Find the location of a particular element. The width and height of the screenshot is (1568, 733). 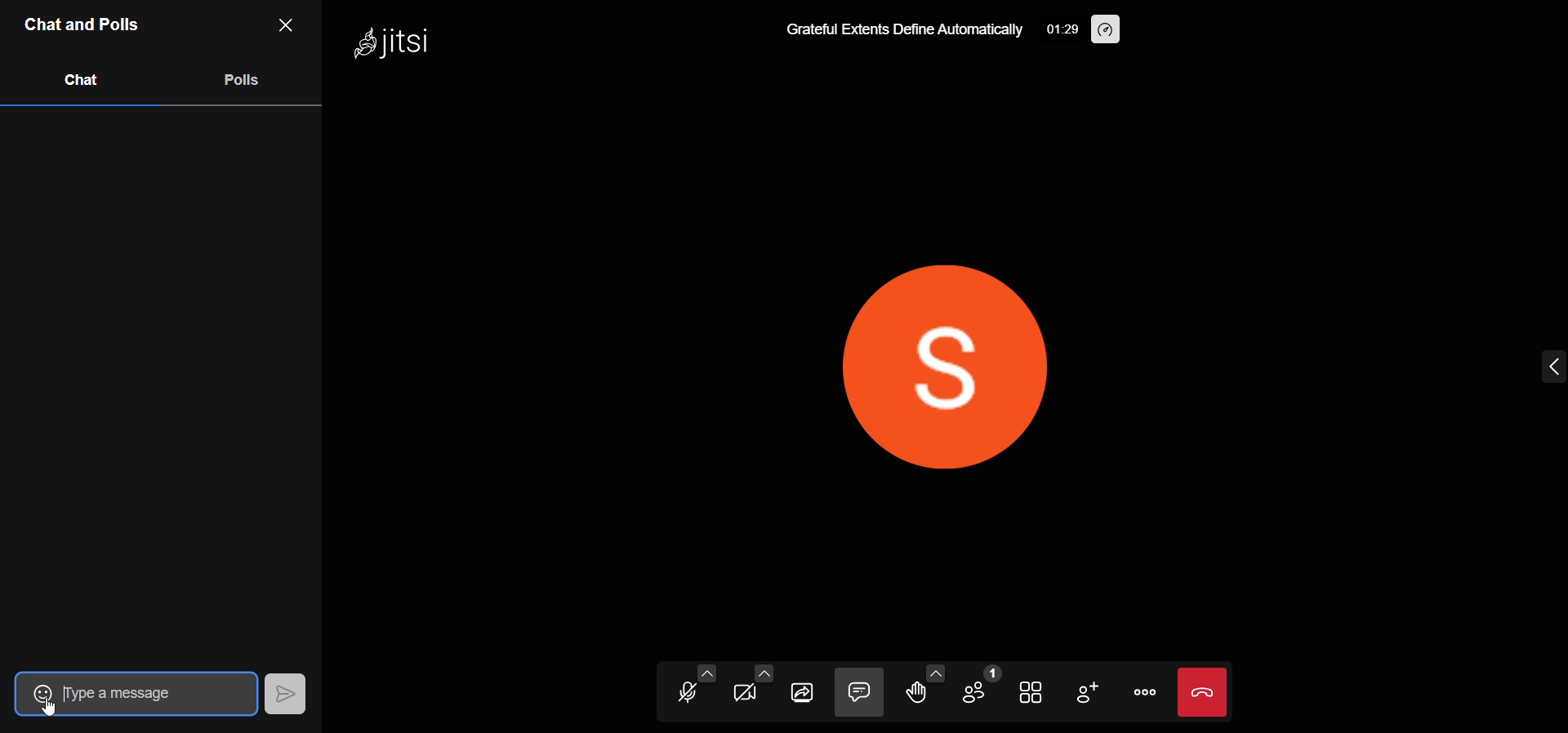

chat area is located at coordinates (162, 388).